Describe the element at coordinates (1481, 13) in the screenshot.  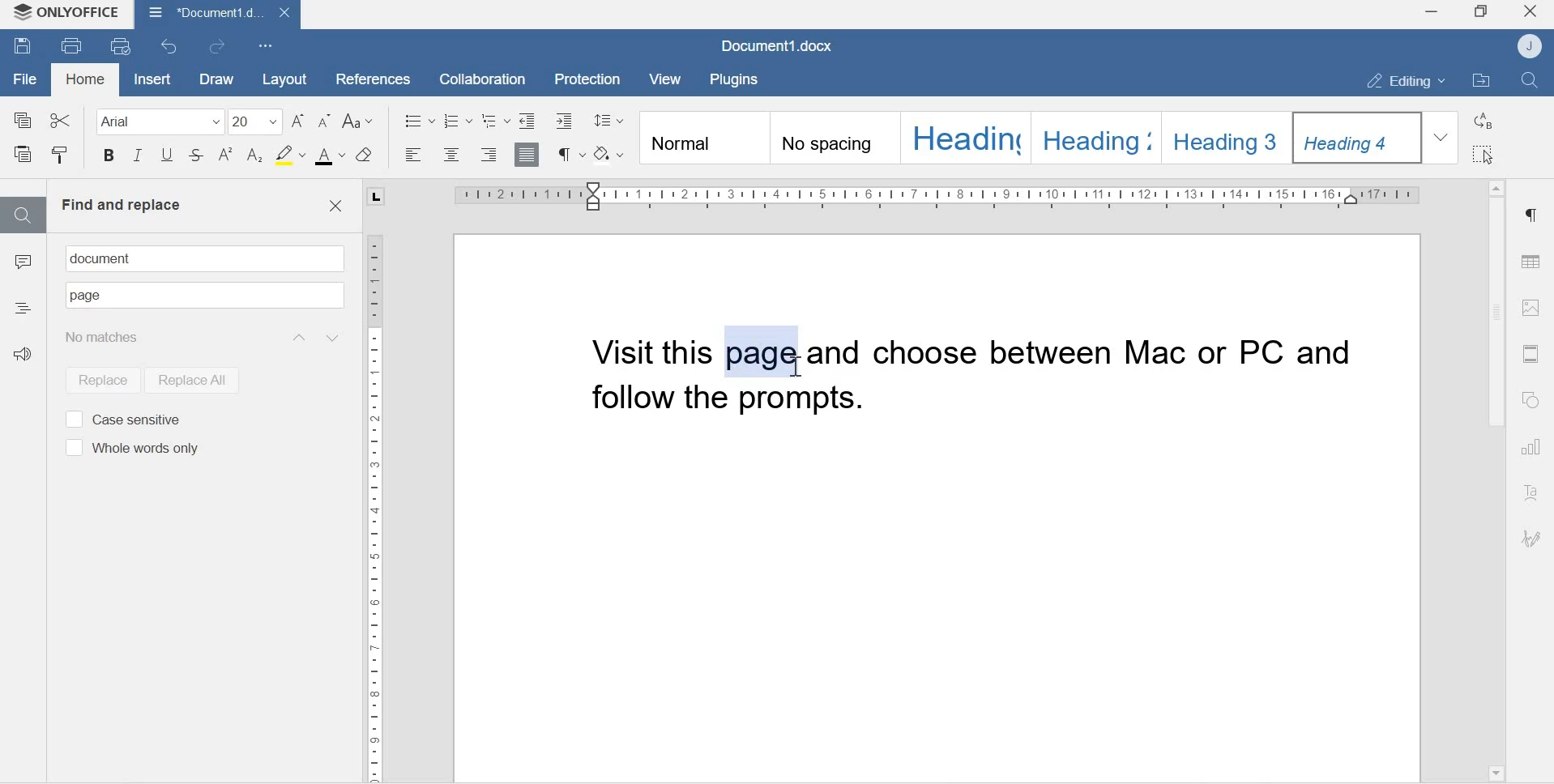
I see `Maximize` at that location.